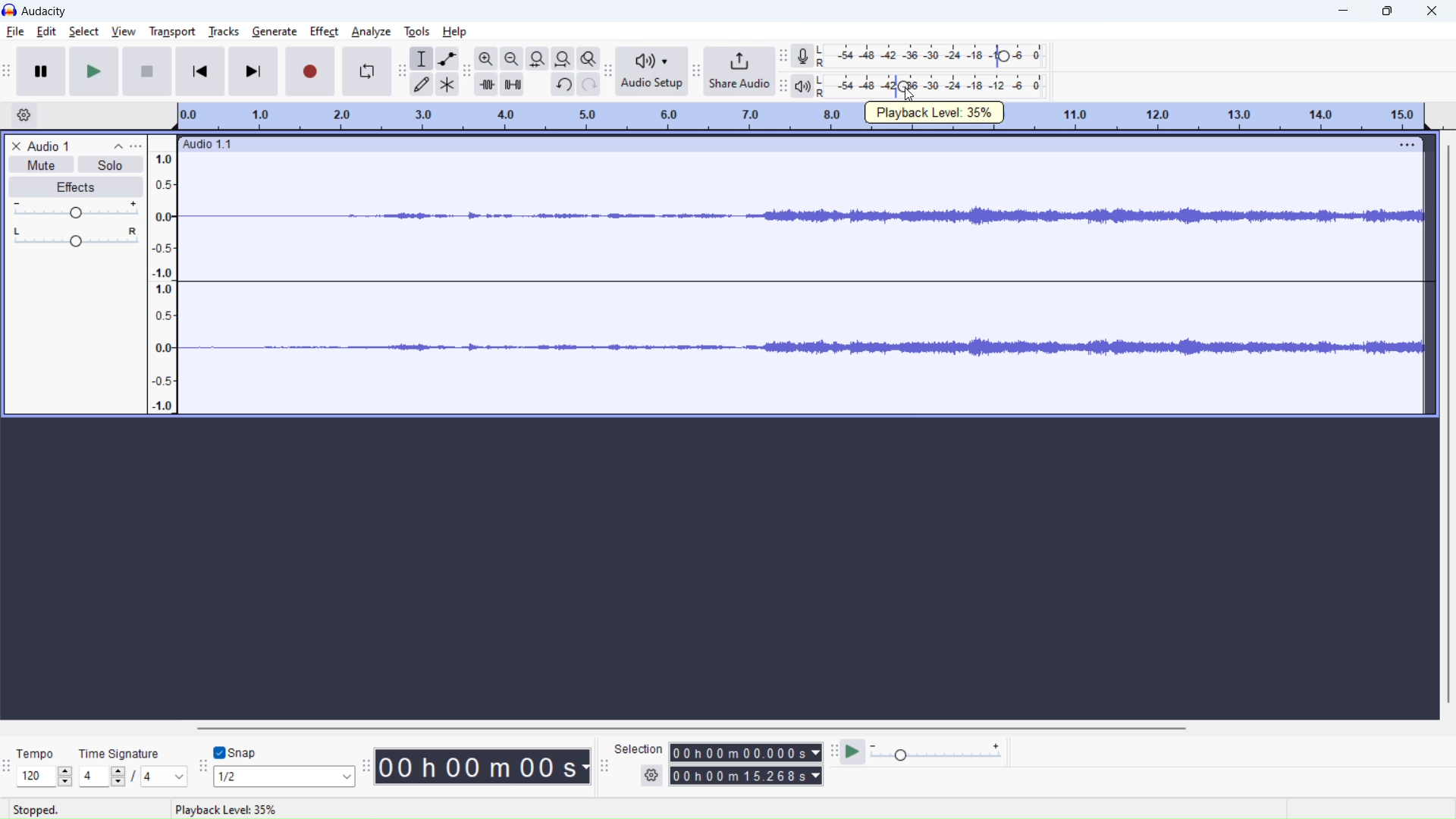 The image size is (1456, 819). What do you see at coordinates (325, 32) in the screenshot?
I see `effect` at bounding box center [325, 32].